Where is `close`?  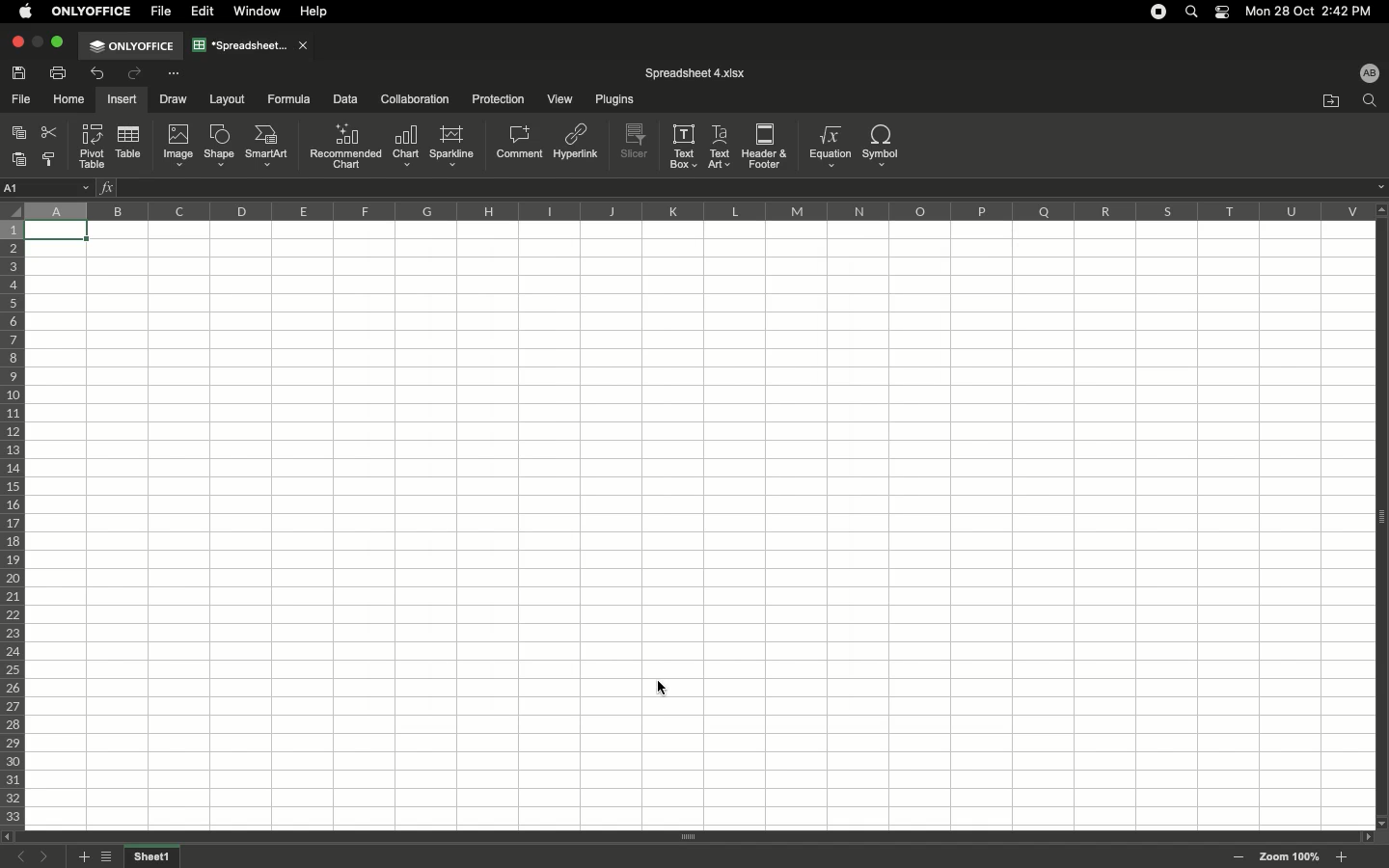 close is located at coordinates (305, 46).